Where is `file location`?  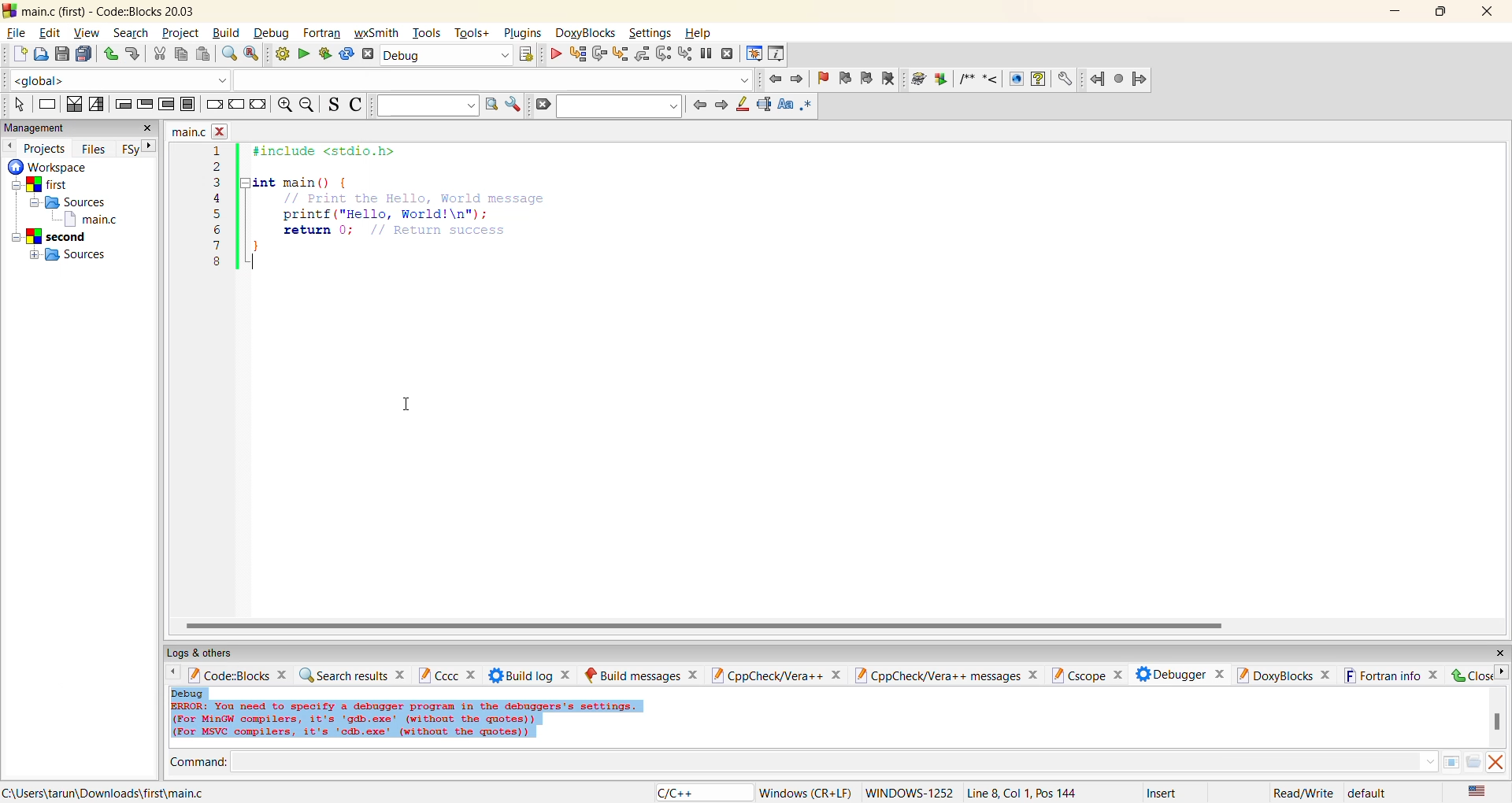 file location is located at coordinates (109, 794).